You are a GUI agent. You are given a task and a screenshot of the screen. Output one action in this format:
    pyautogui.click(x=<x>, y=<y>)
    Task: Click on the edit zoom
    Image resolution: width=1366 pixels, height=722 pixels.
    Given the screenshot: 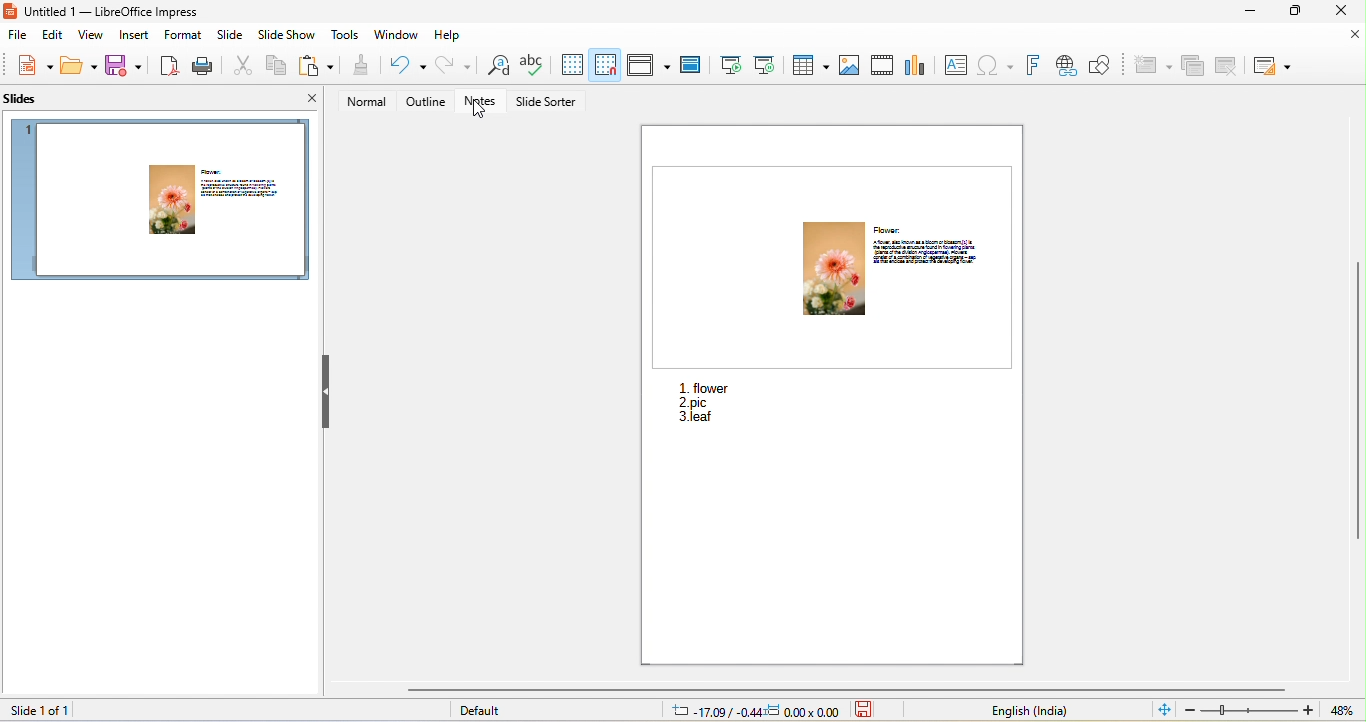 What is the action you would take?
    pyautogui.click(x=1249, y=710)
    